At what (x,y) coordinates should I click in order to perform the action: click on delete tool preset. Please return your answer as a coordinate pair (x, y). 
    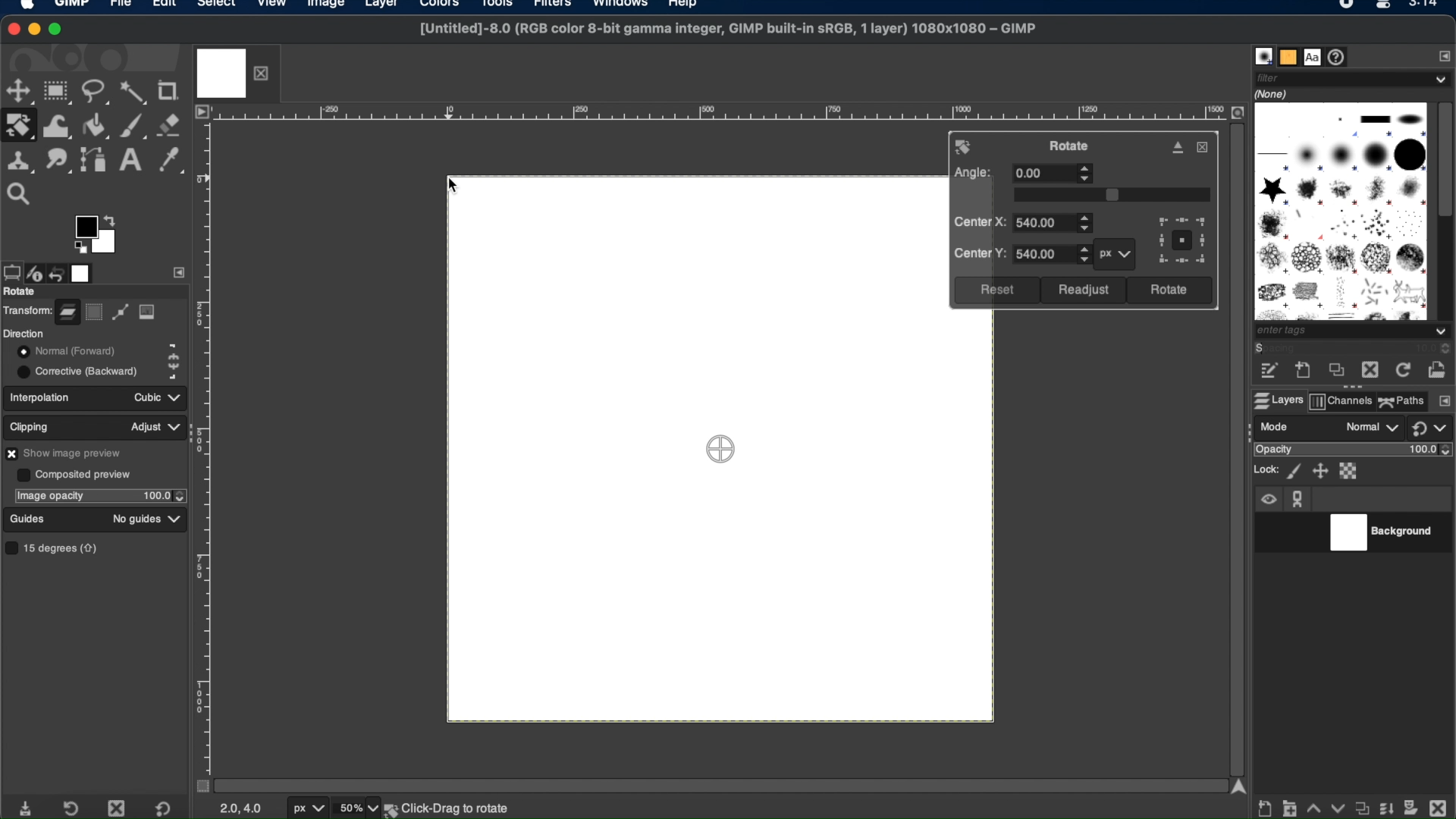
    Looking at the image, I should click on (118, 808).